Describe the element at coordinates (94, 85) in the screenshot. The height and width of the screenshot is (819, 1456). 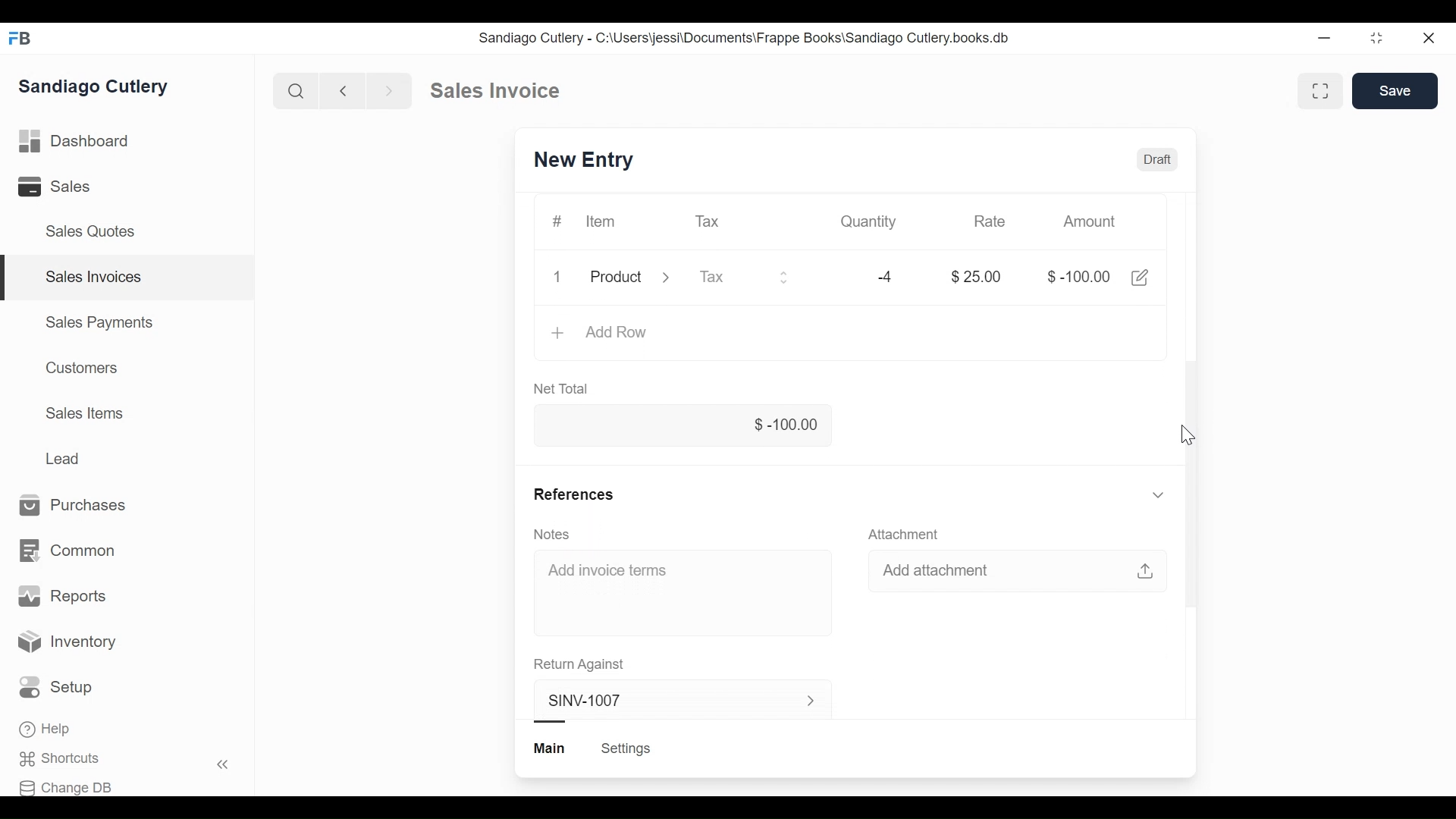
I see `Sandiago Cutlery` at that location.